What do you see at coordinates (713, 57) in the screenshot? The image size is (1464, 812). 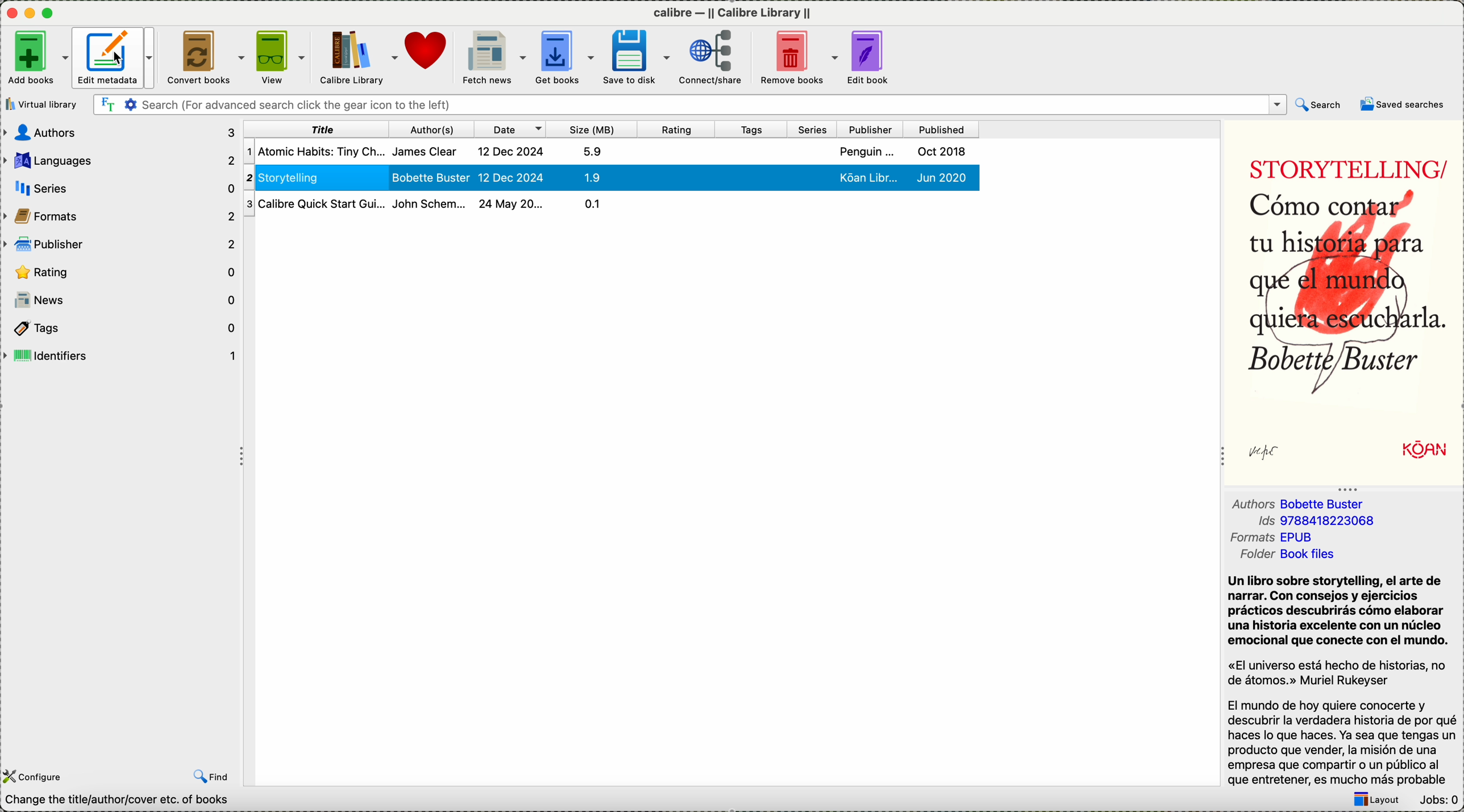 I see `connect/share` at bounding box center [713, 57].